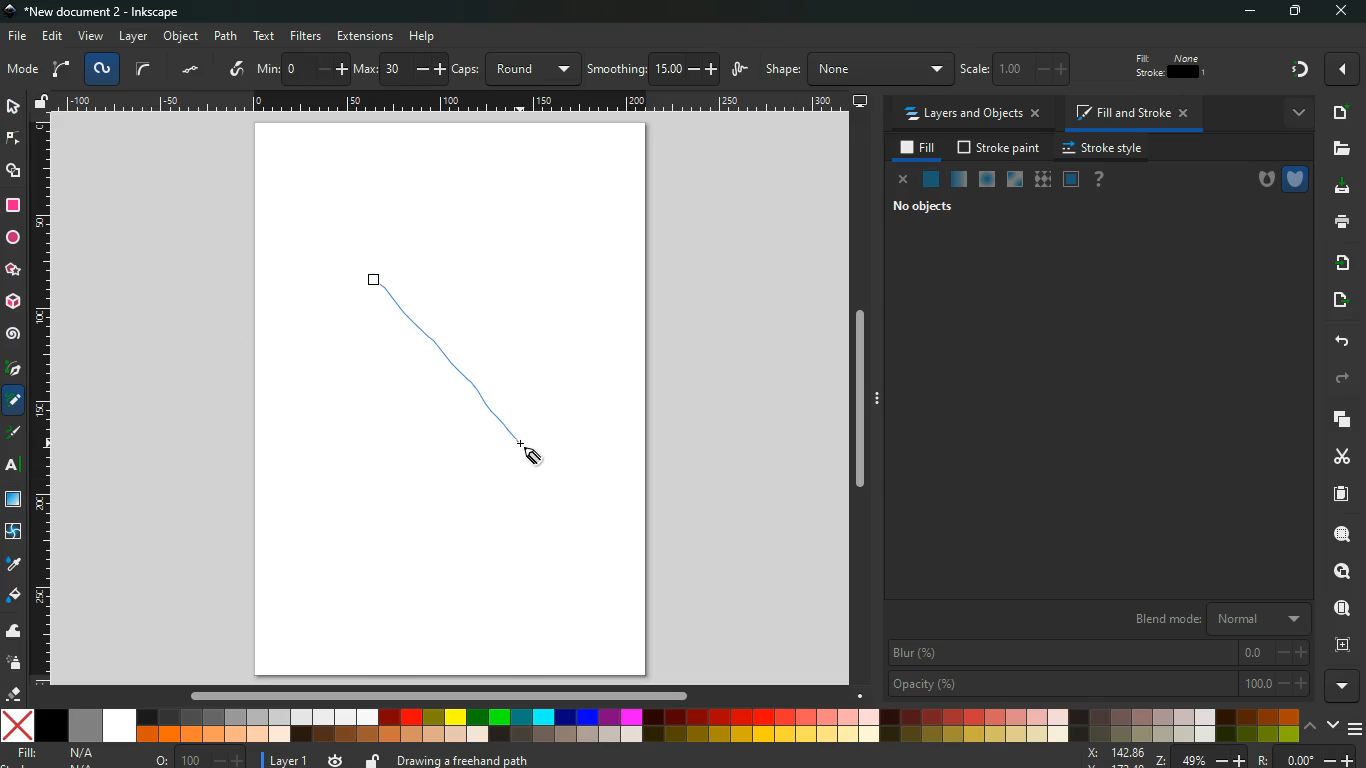 The height and width of the screenshot is (768, 1366). What do you see at coordinates (941, 208) in the screenshot?
I see `no objects` at bounding box center [941, 208].